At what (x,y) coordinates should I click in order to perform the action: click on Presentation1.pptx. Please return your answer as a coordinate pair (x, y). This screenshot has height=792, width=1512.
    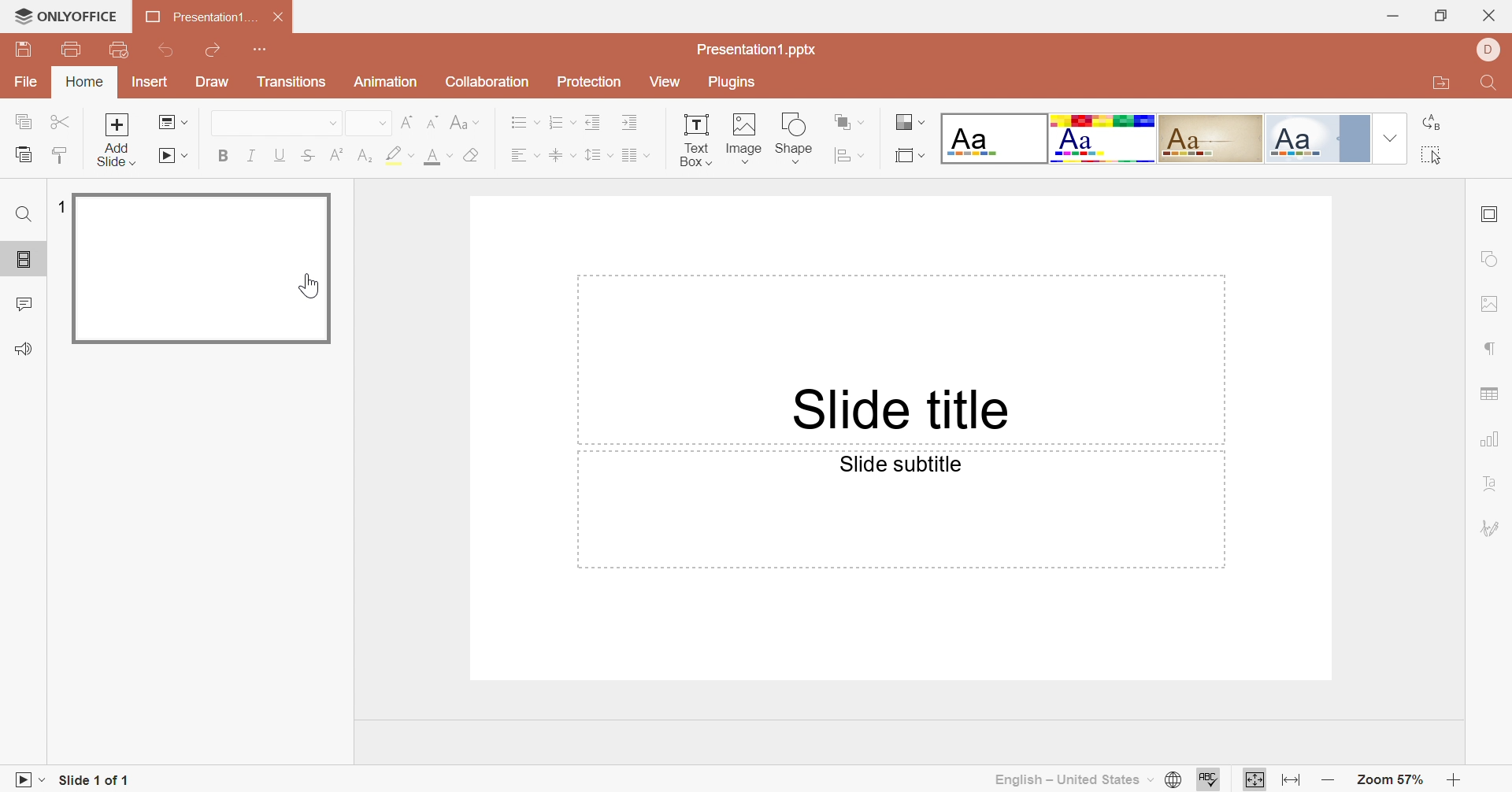
    Looking at the image, I should click on (755, 48).